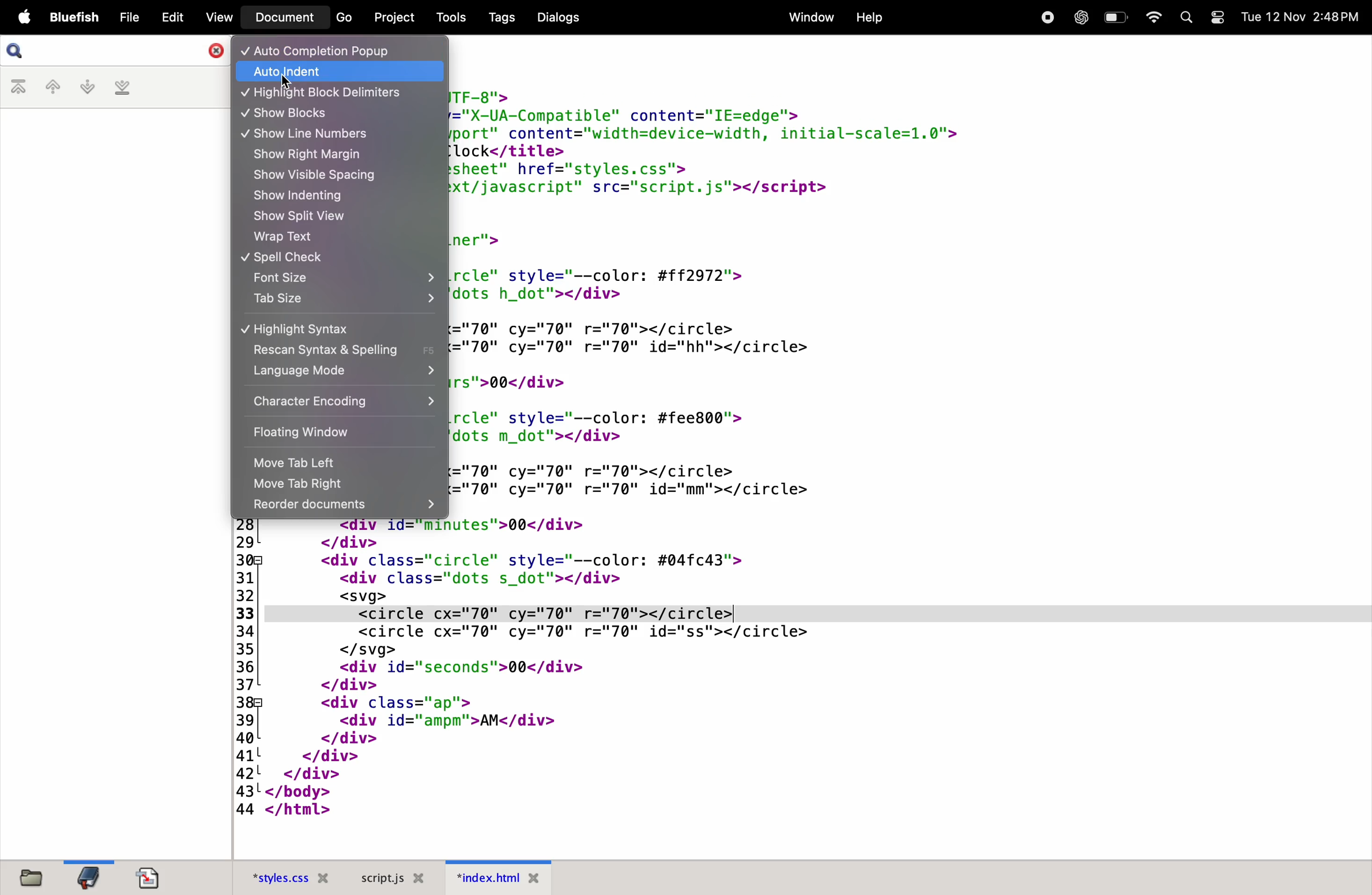 The width and height of the screenshot is (1372, 895). I want to click on view, so click(220, 17).